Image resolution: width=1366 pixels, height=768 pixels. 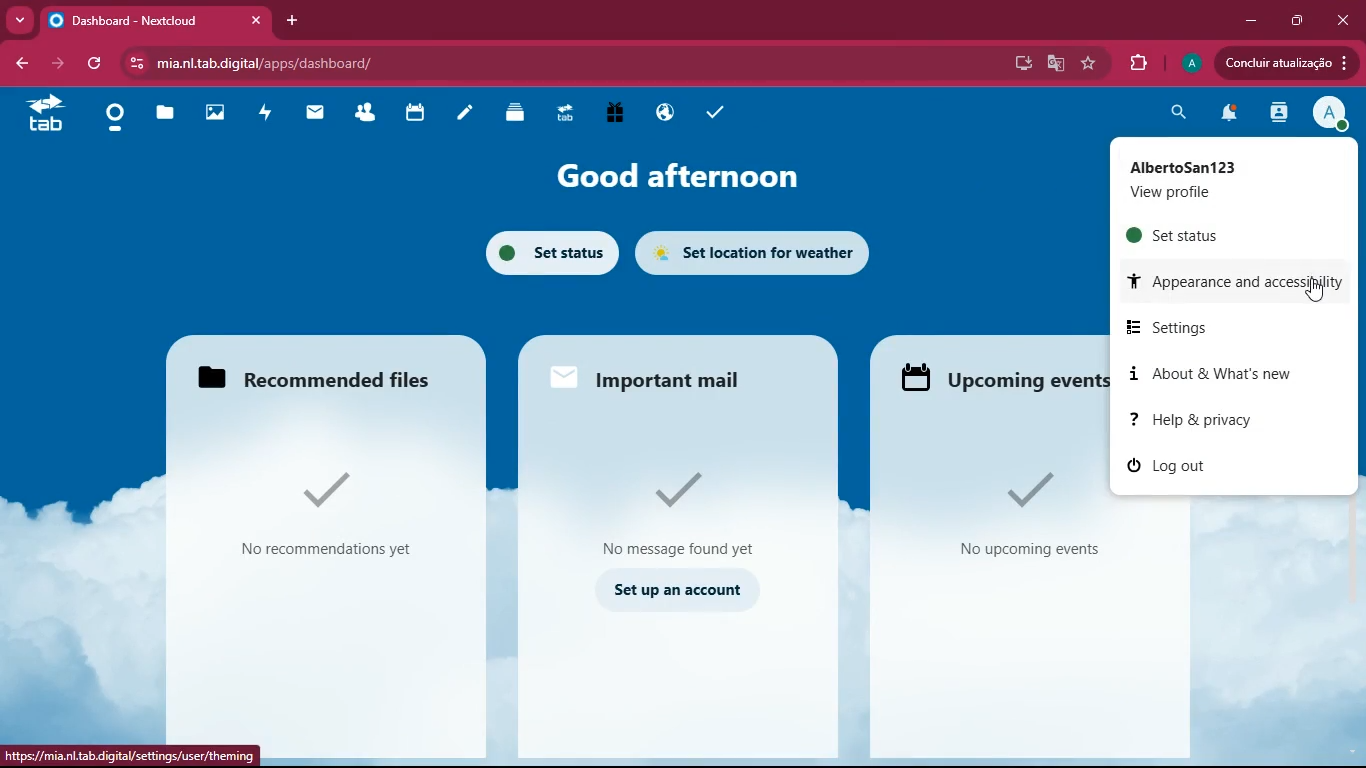 I want to click on set status, so click(x=1200, y=236).